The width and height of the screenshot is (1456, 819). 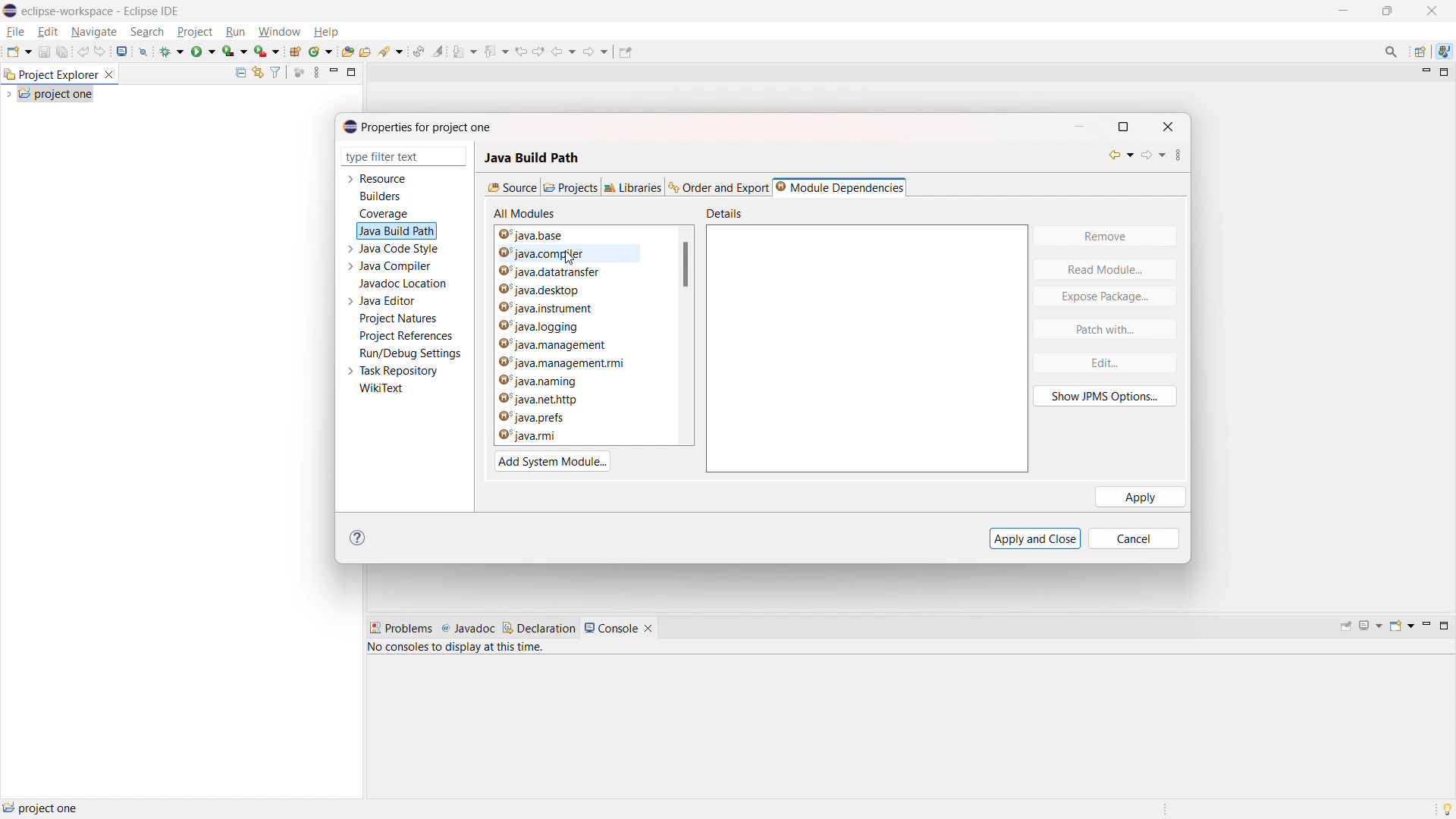 I want to click on java.base, so click(x=585, y=234).